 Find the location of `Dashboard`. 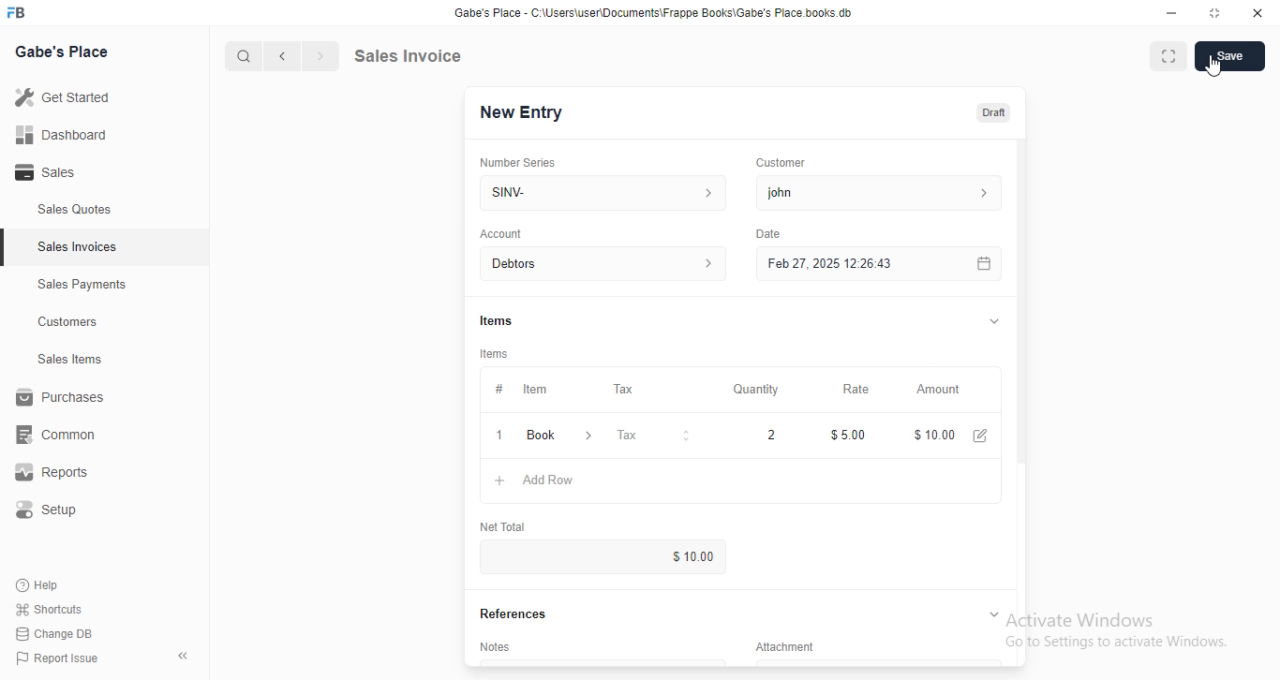

Dashboard is located at coordinates (61, 135).